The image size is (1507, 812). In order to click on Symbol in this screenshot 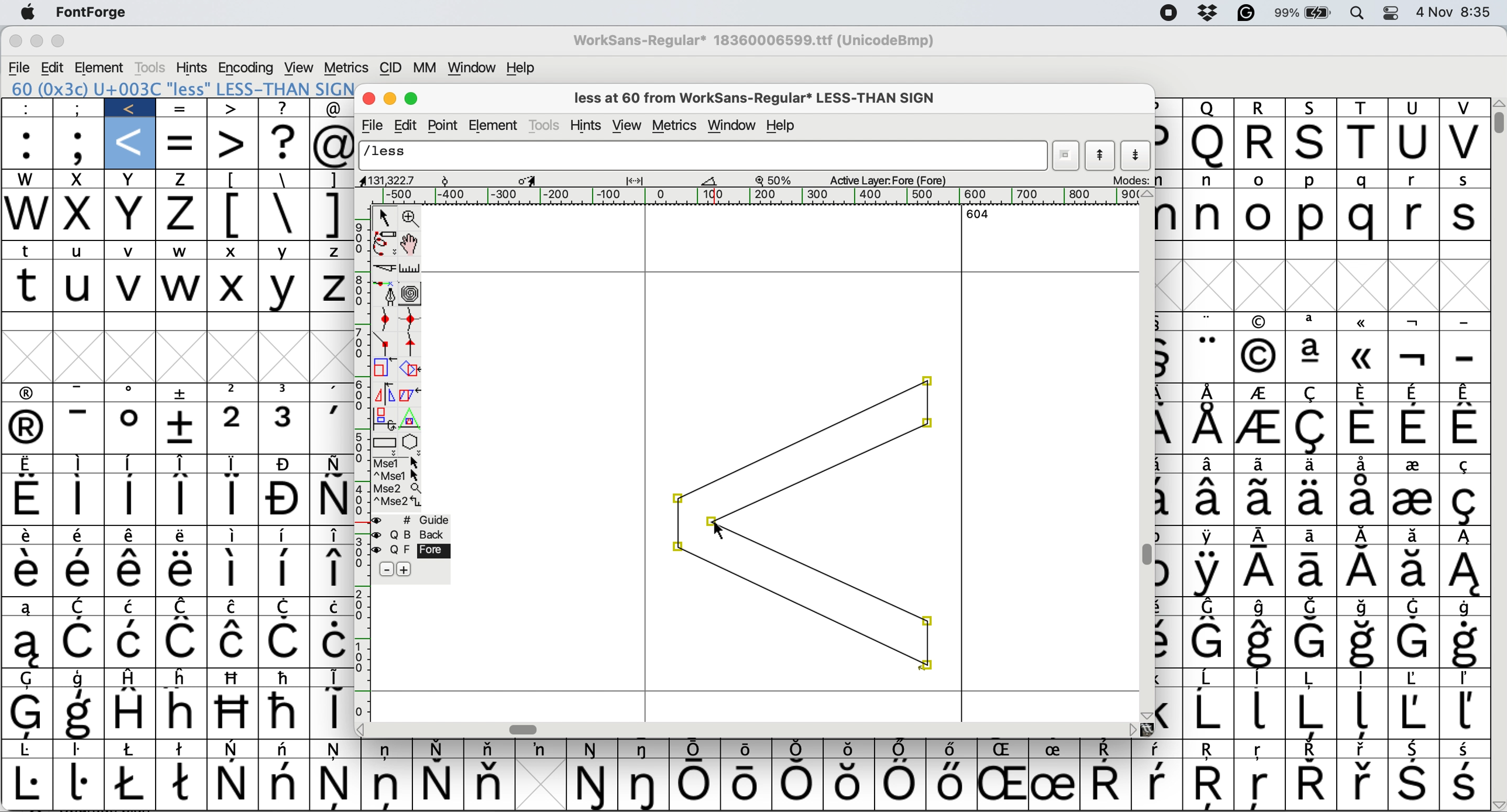, I will do `click(332, 463)`.